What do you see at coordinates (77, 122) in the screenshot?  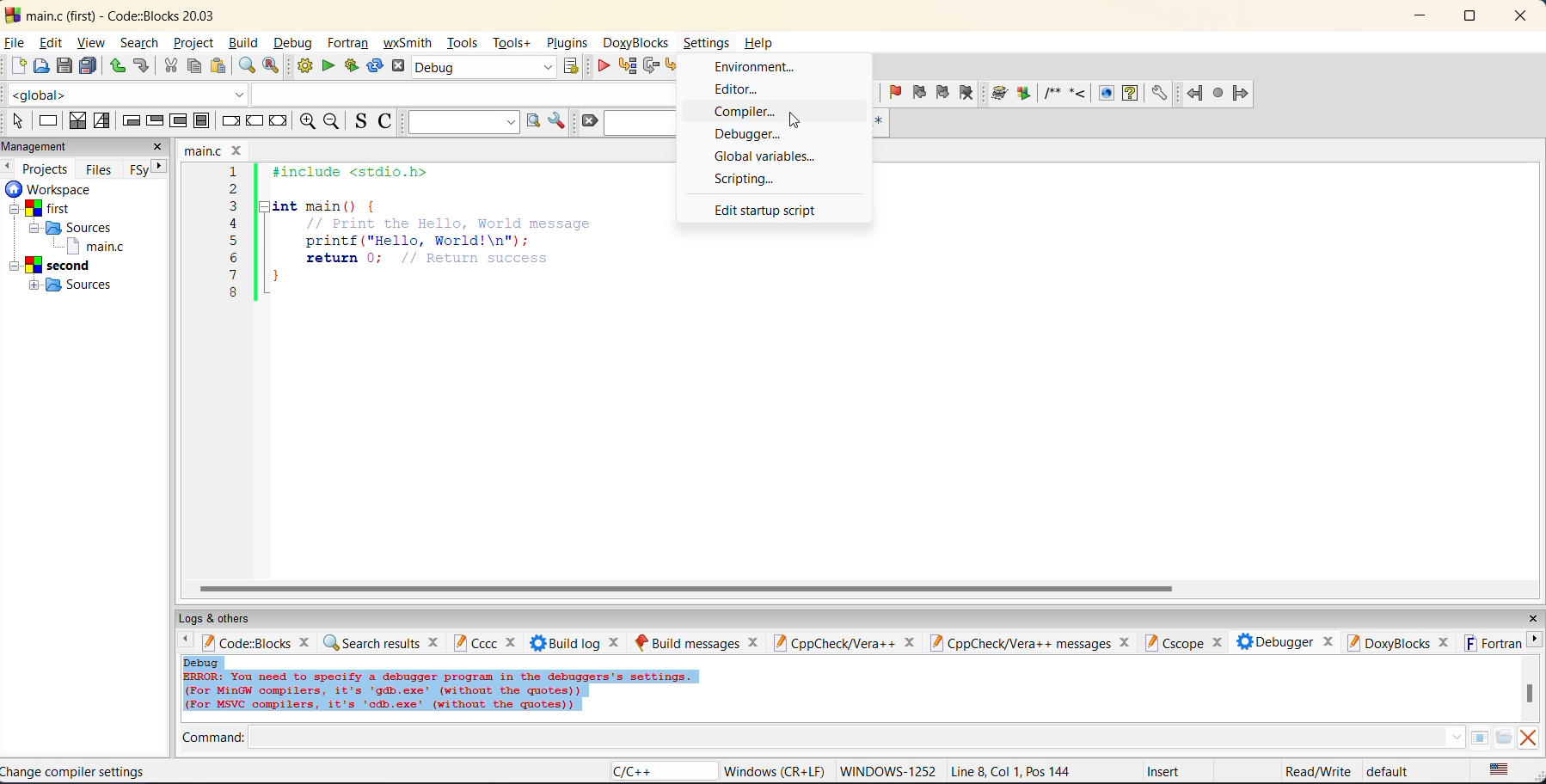 I see `decision` at bounding box center [77, 122].